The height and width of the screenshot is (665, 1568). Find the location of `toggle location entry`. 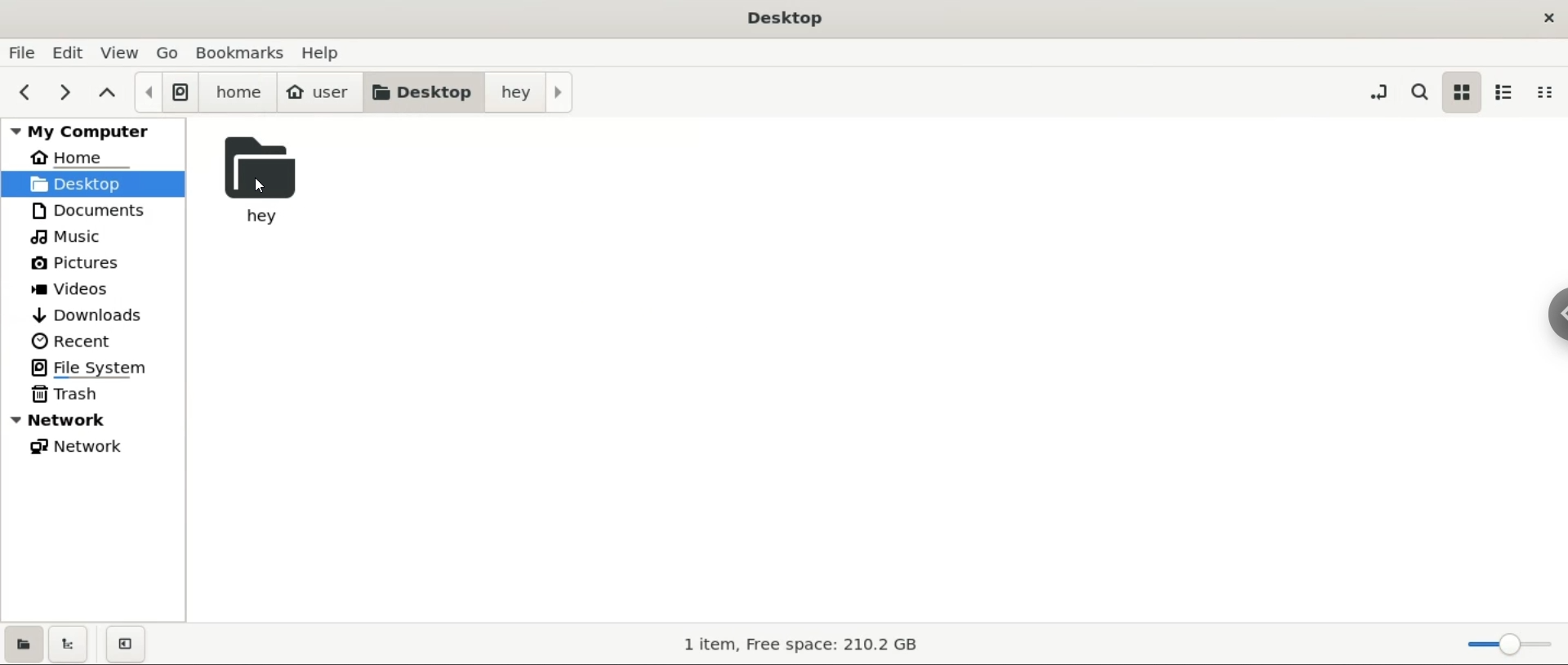

toggle location entry is located at coordinates (1373, 89).